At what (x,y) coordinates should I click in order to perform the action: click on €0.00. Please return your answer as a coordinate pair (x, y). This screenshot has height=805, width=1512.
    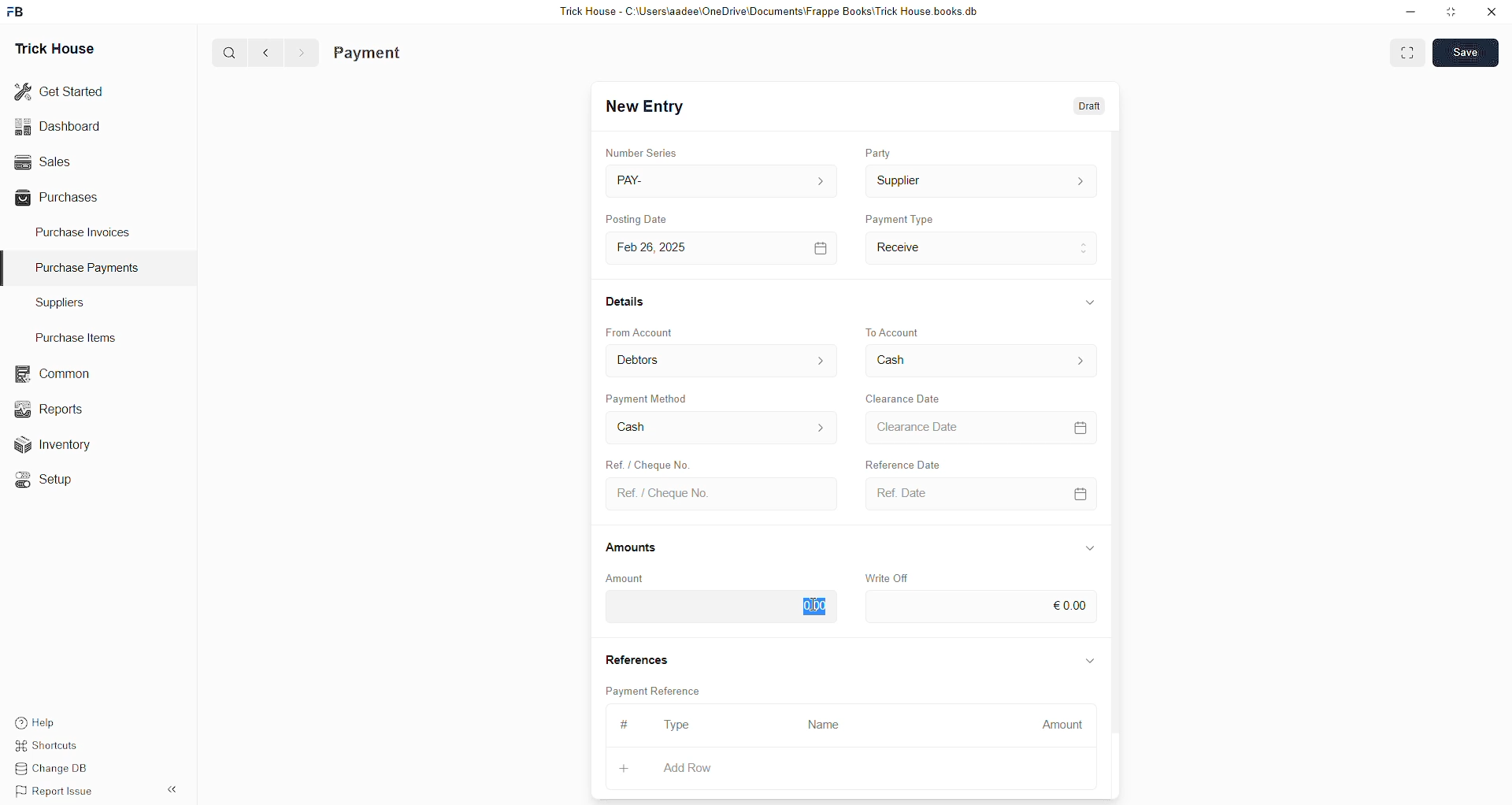
    Looking at the image, I should click on (980, 607).